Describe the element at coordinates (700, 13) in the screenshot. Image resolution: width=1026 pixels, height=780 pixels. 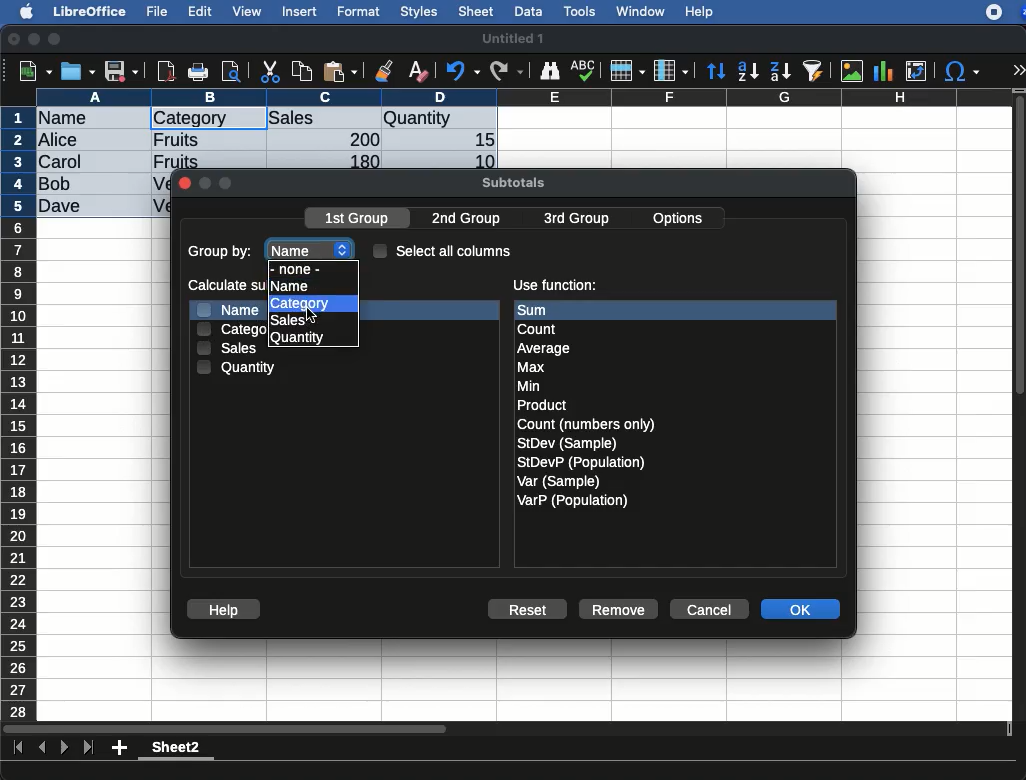
I see `help` at that location.